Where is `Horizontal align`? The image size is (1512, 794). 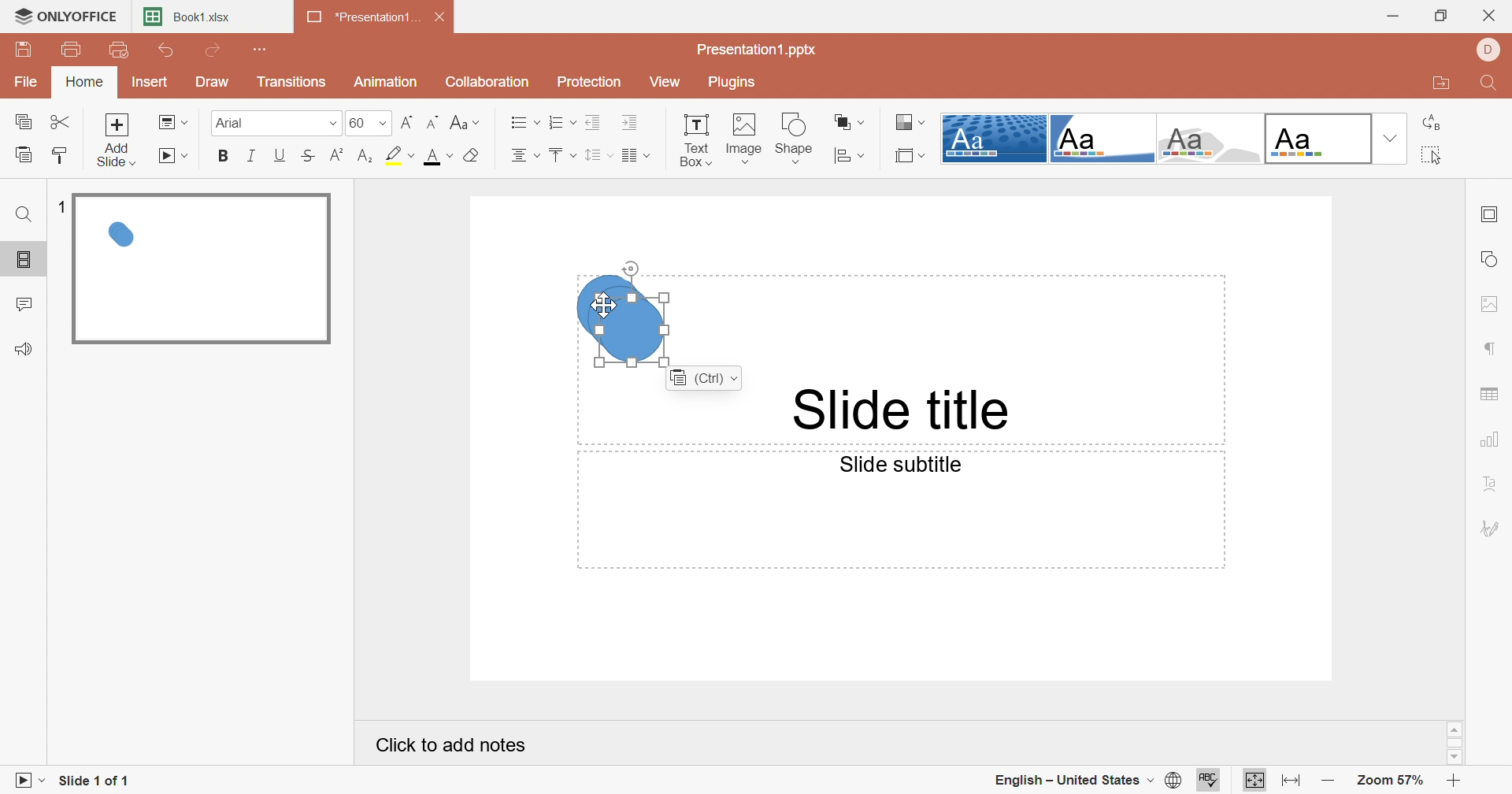
Horizontal align is located at coordinates (524, 121).